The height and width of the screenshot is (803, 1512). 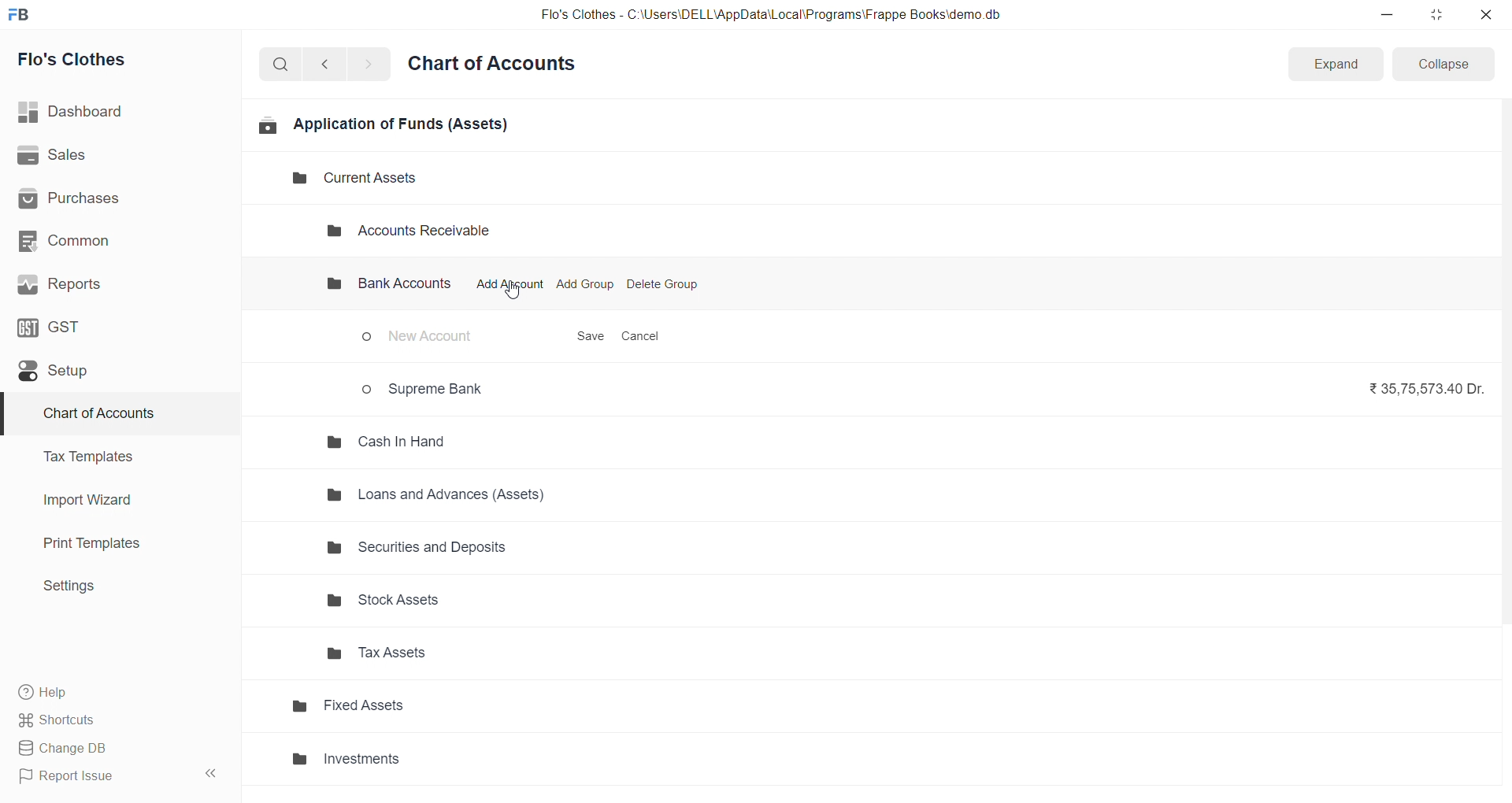 What do you see at coordinates (587, 284) in the screenshot?
I see `Add Group` at bounding box center [587, 284].